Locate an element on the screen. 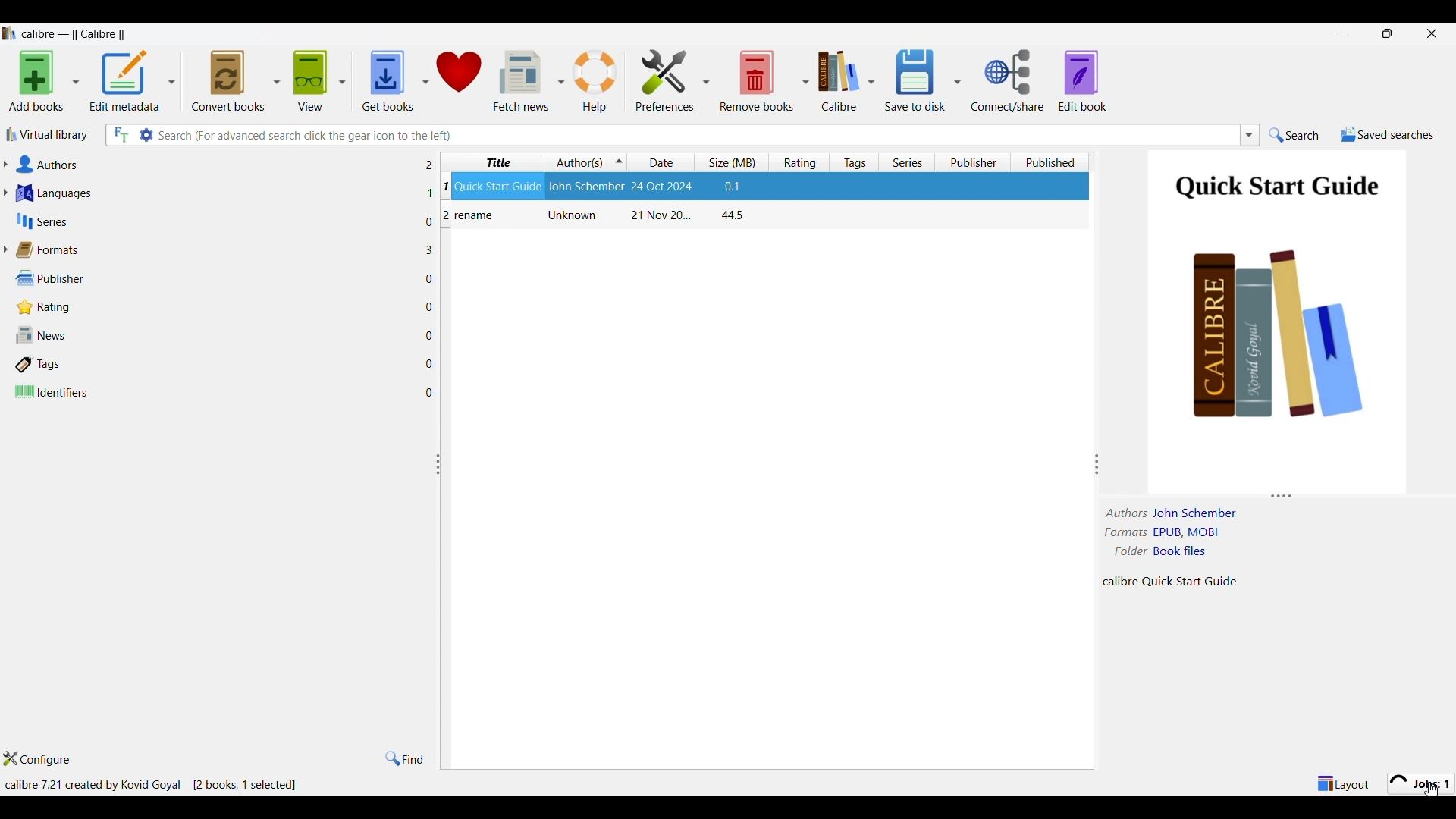 The width and height of the screenshot is (1456, 819). Details about file is located at coordinates (1172, 582).